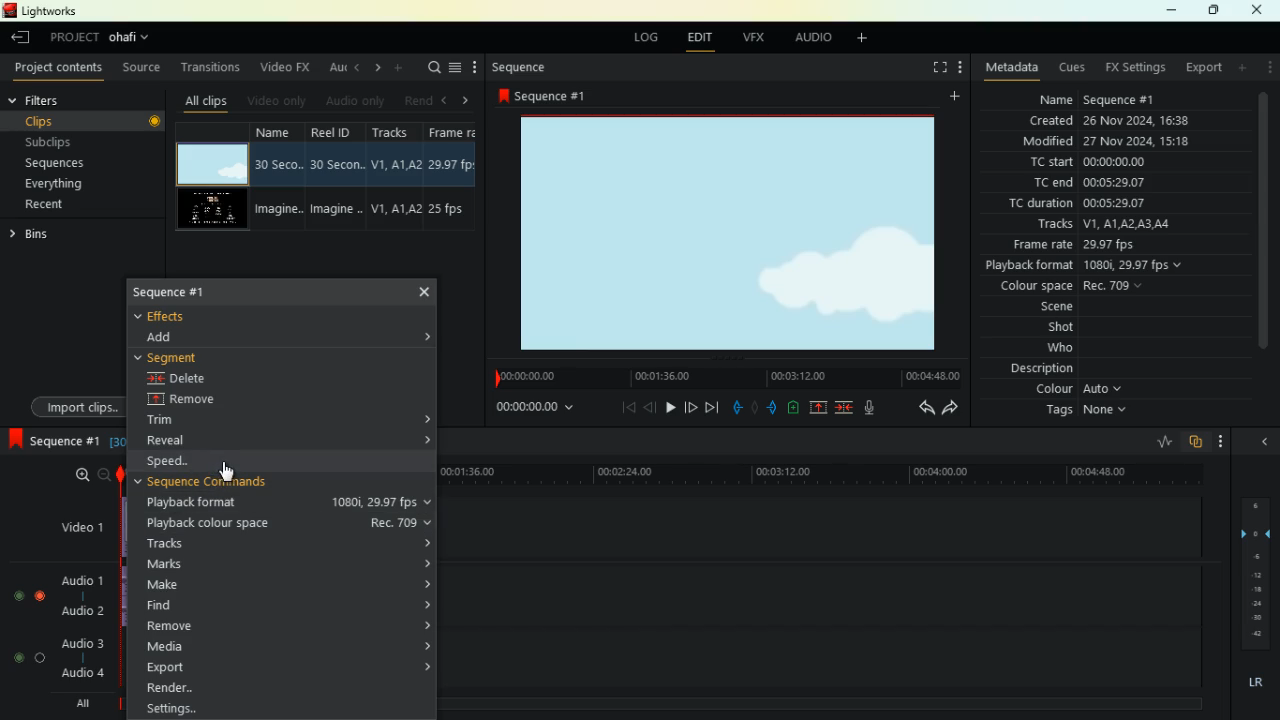  I want to click on metadata, so click(1012, 66).